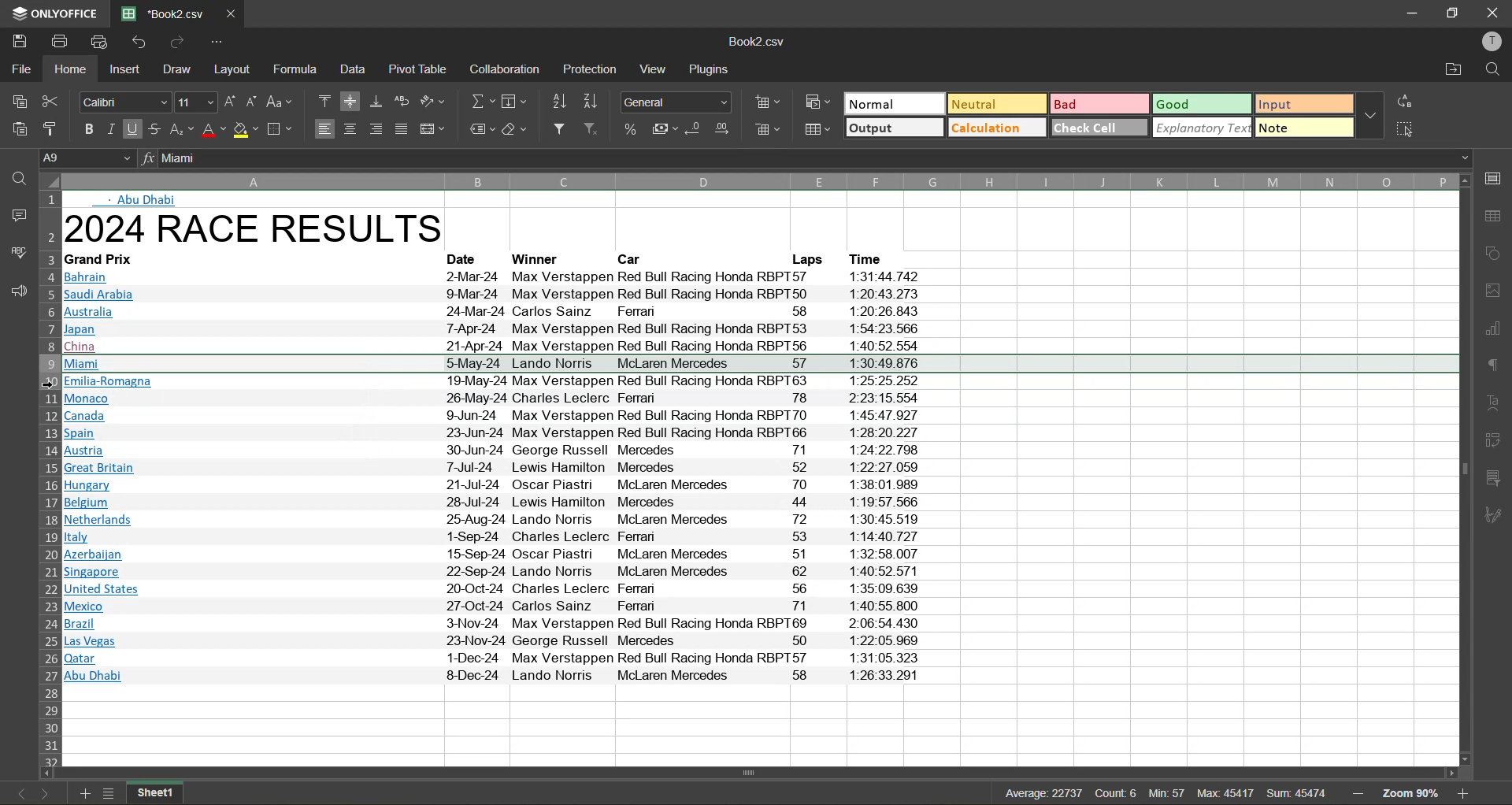 This screenshot has height=805, width=1512. What do you see at coordinates (434, 129) in the screenshot?
I see `merge and center` at bounding box center [434, 129].